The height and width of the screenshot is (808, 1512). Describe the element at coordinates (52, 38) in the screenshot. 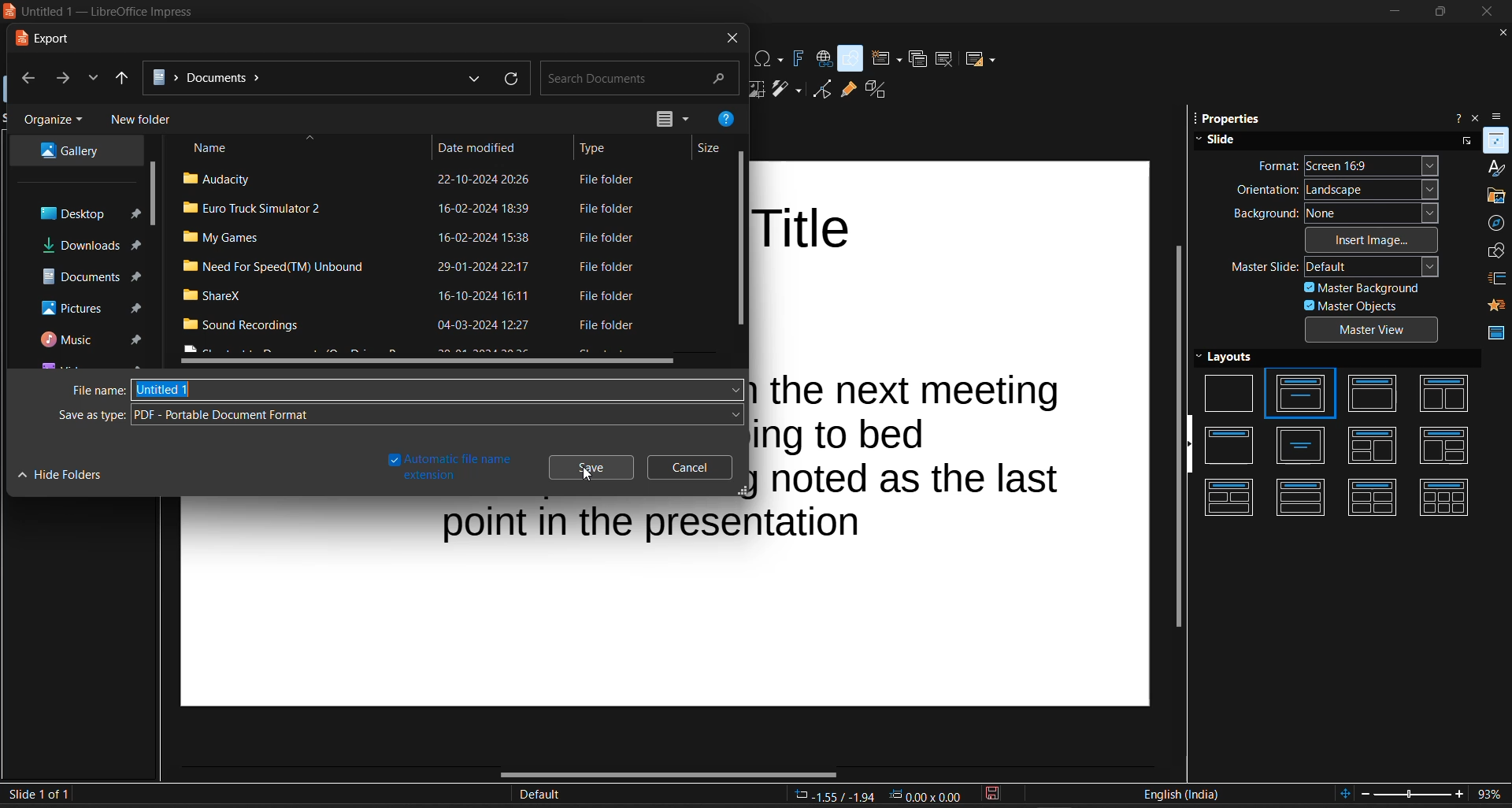

I see `Export` at that location.